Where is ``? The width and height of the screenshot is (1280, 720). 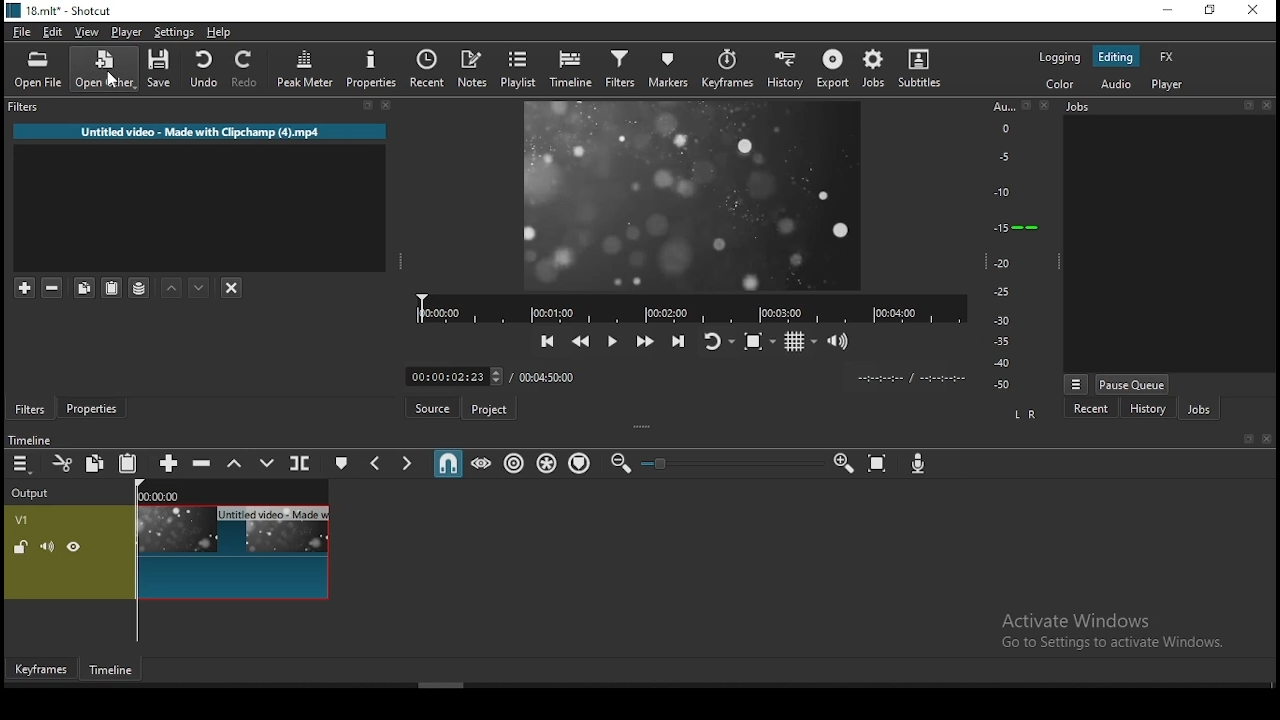  is located at coordinates (93, 408).